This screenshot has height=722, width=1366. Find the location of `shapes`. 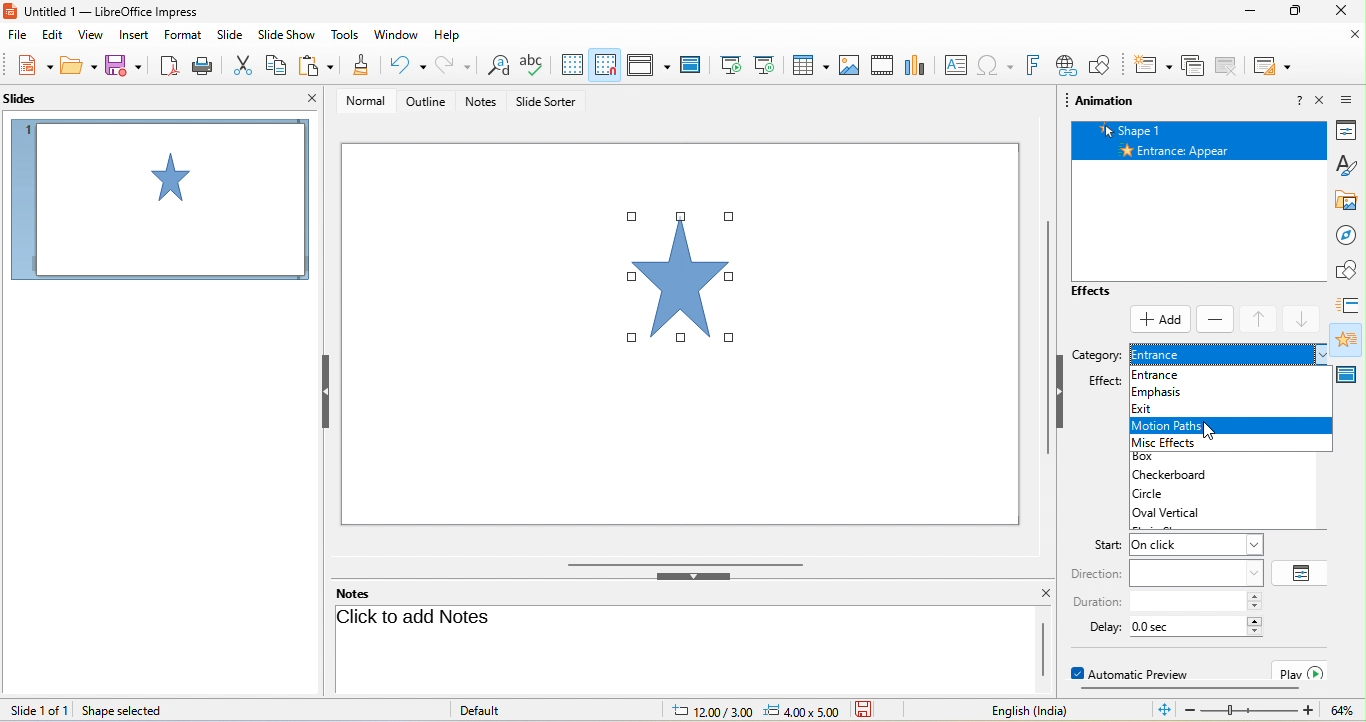

shapes is located at coordinates (1351, 269).